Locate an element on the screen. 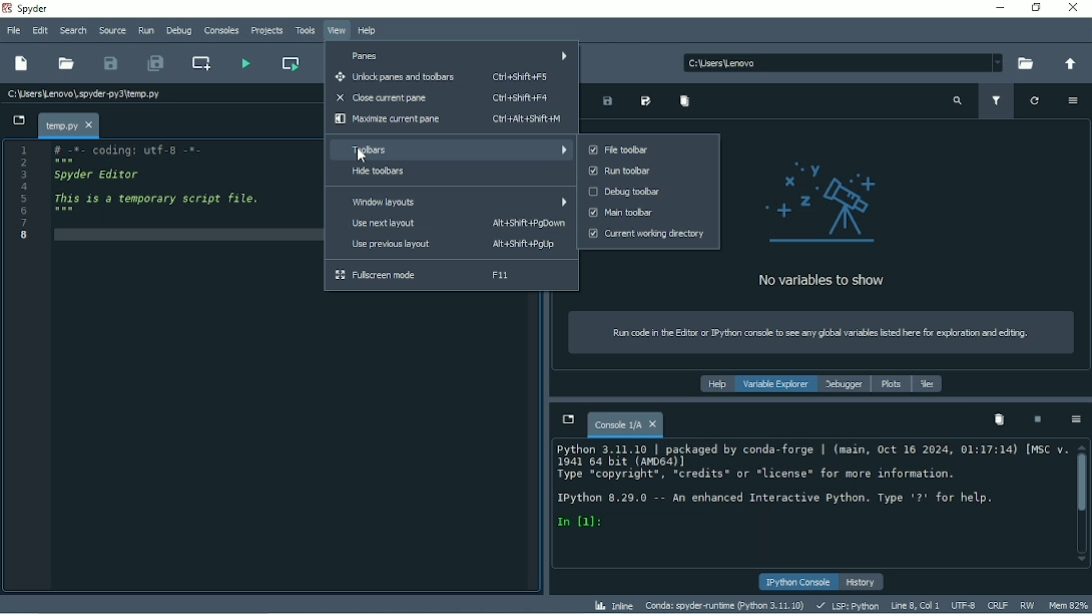 Image resolution: width=1092 pixels, height=614 pixels. File name is located at coordinates (85, 91).